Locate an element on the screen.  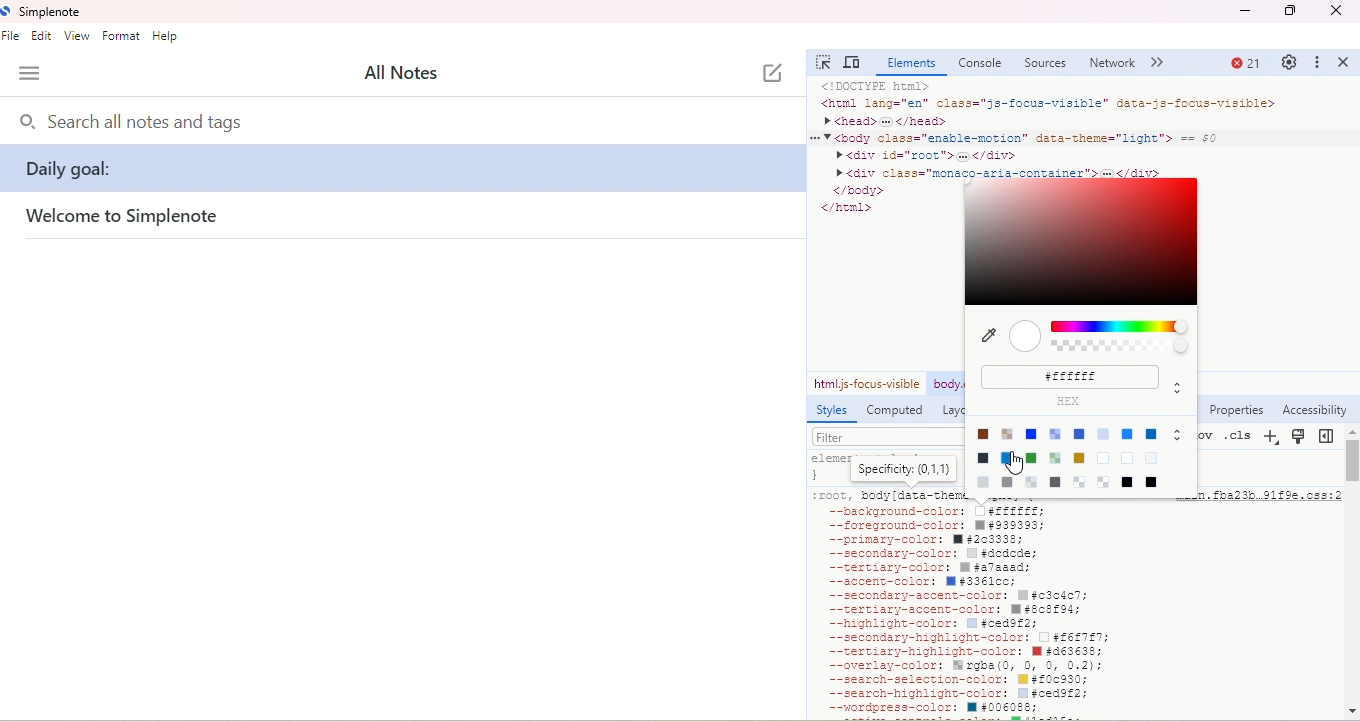
computed is located at coordinates (896, 411).